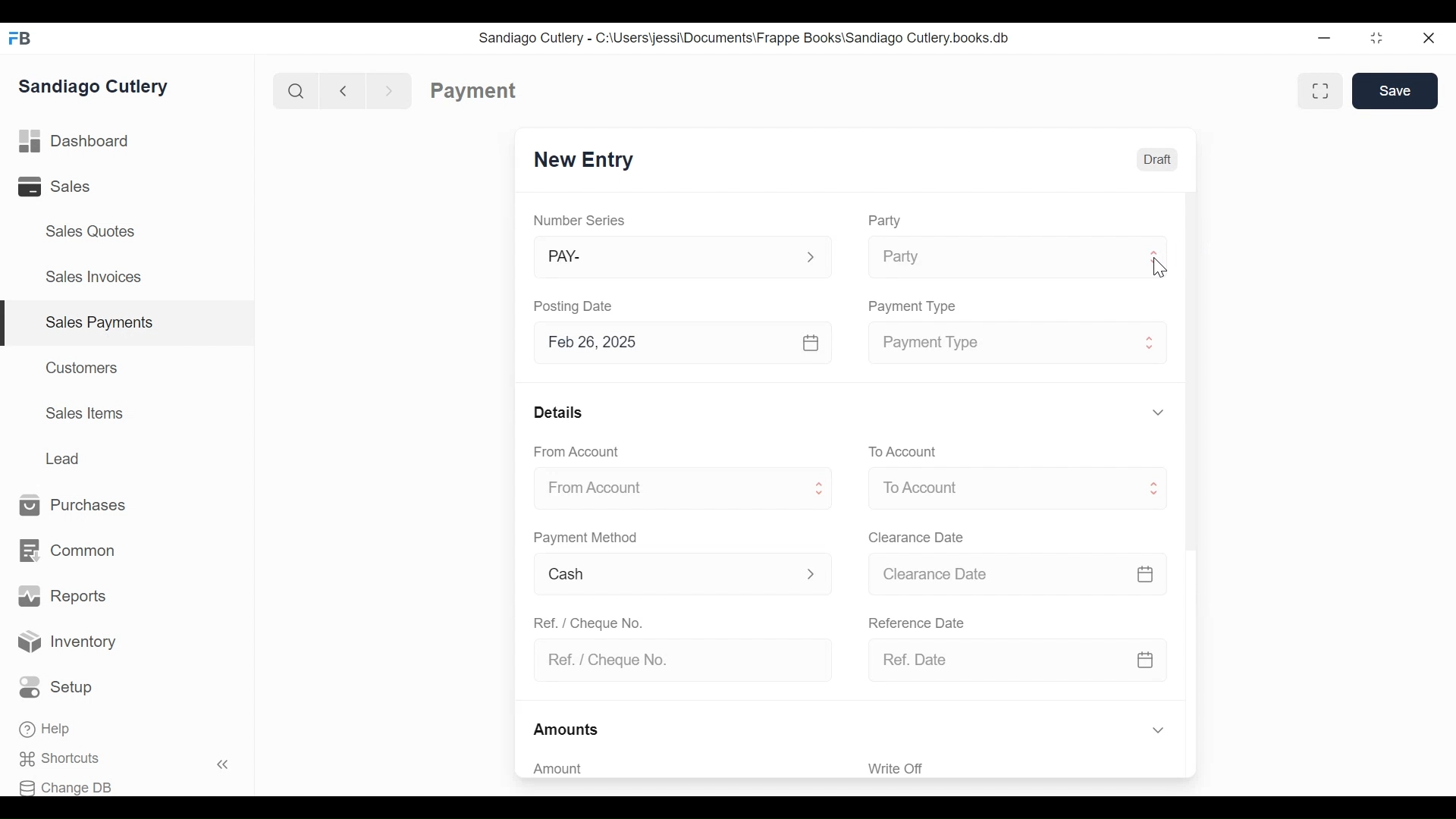 The height and width of the screenshot is (819, 1456). I want to click on Setup, so click(60, 688).